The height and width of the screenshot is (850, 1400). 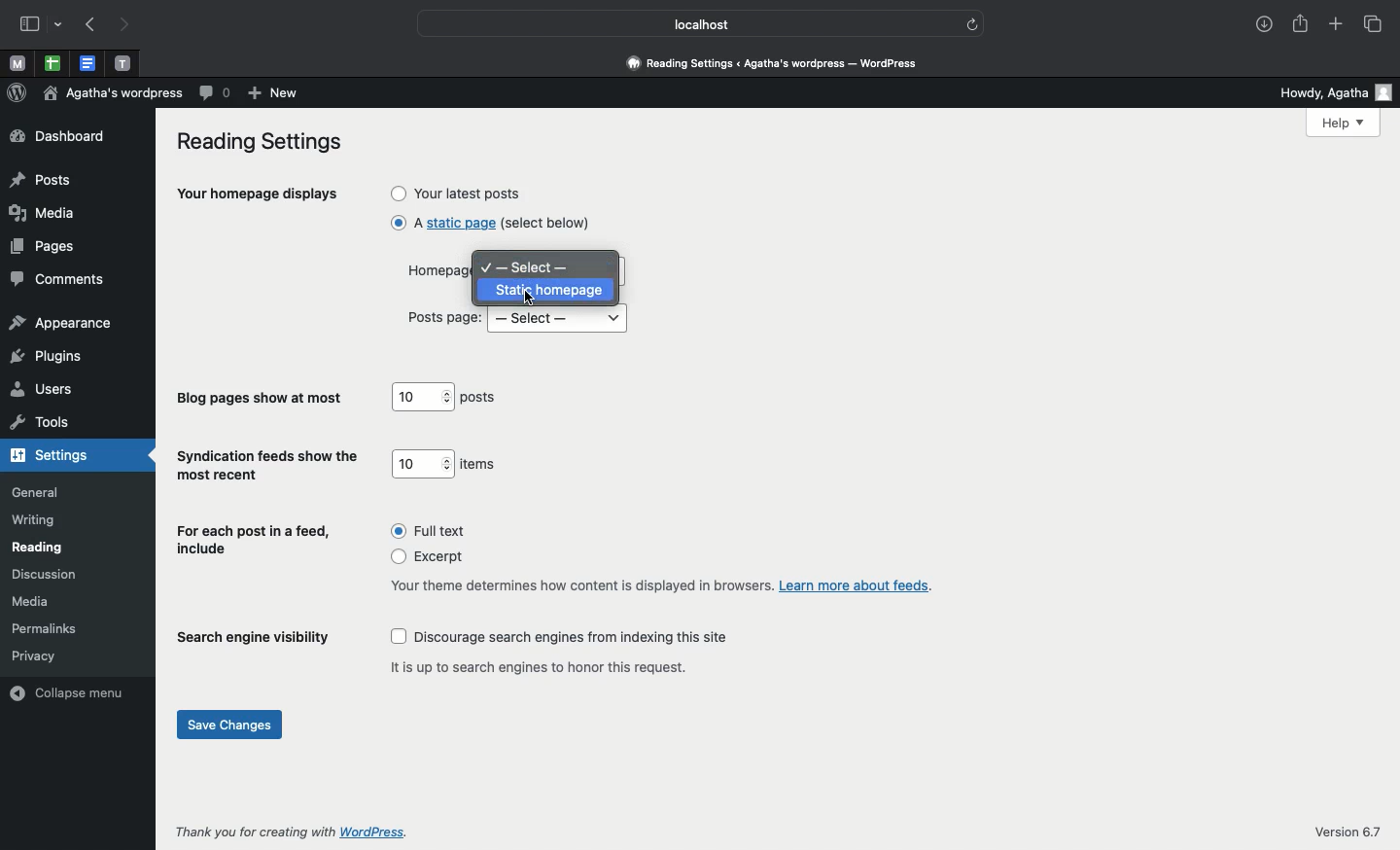 What do you see at coordinates (435, 558) in the screenshot?
I see `Excerpt` at bounding box center [435, 558].